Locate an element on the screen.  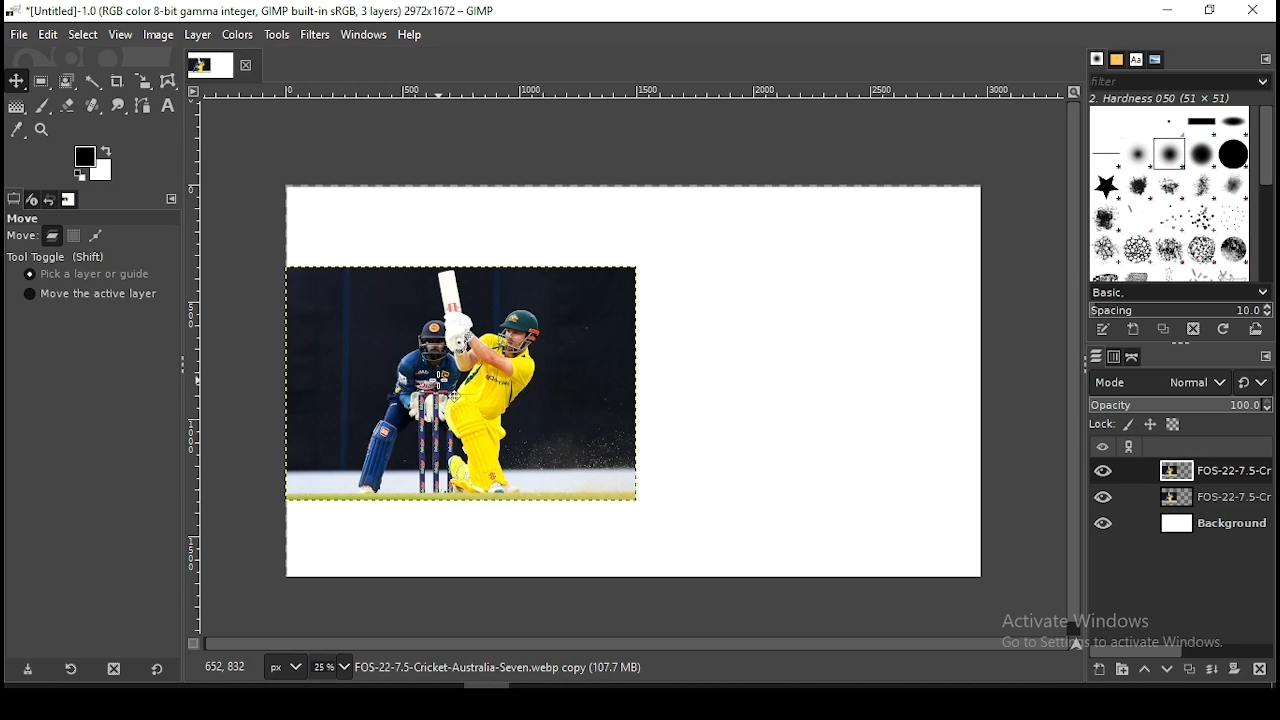
paths tool is located at coordinates (140, 107).